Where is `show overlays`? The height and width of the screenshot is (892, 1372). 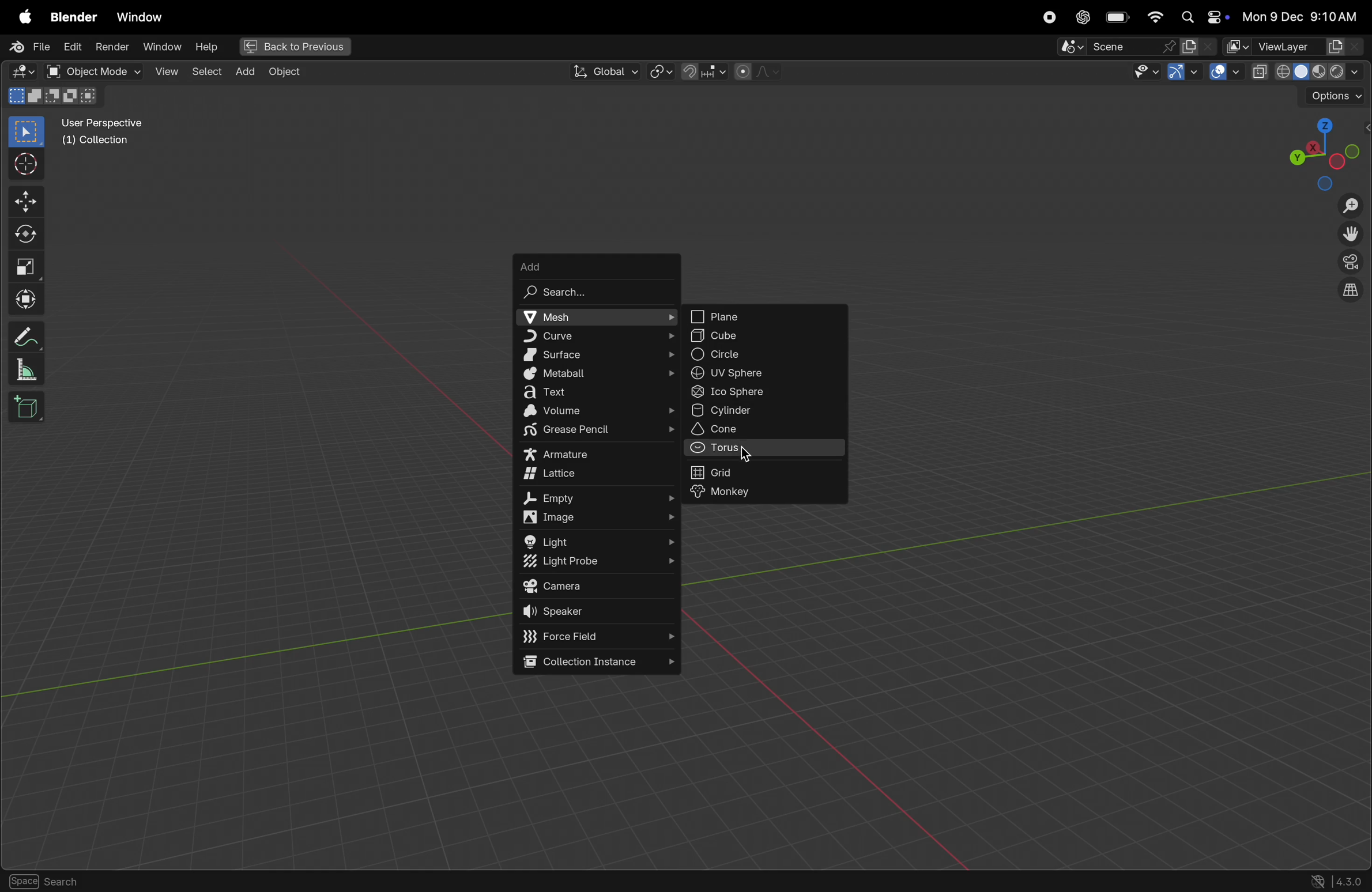 show overlays is located at coordinates (1226, 73).